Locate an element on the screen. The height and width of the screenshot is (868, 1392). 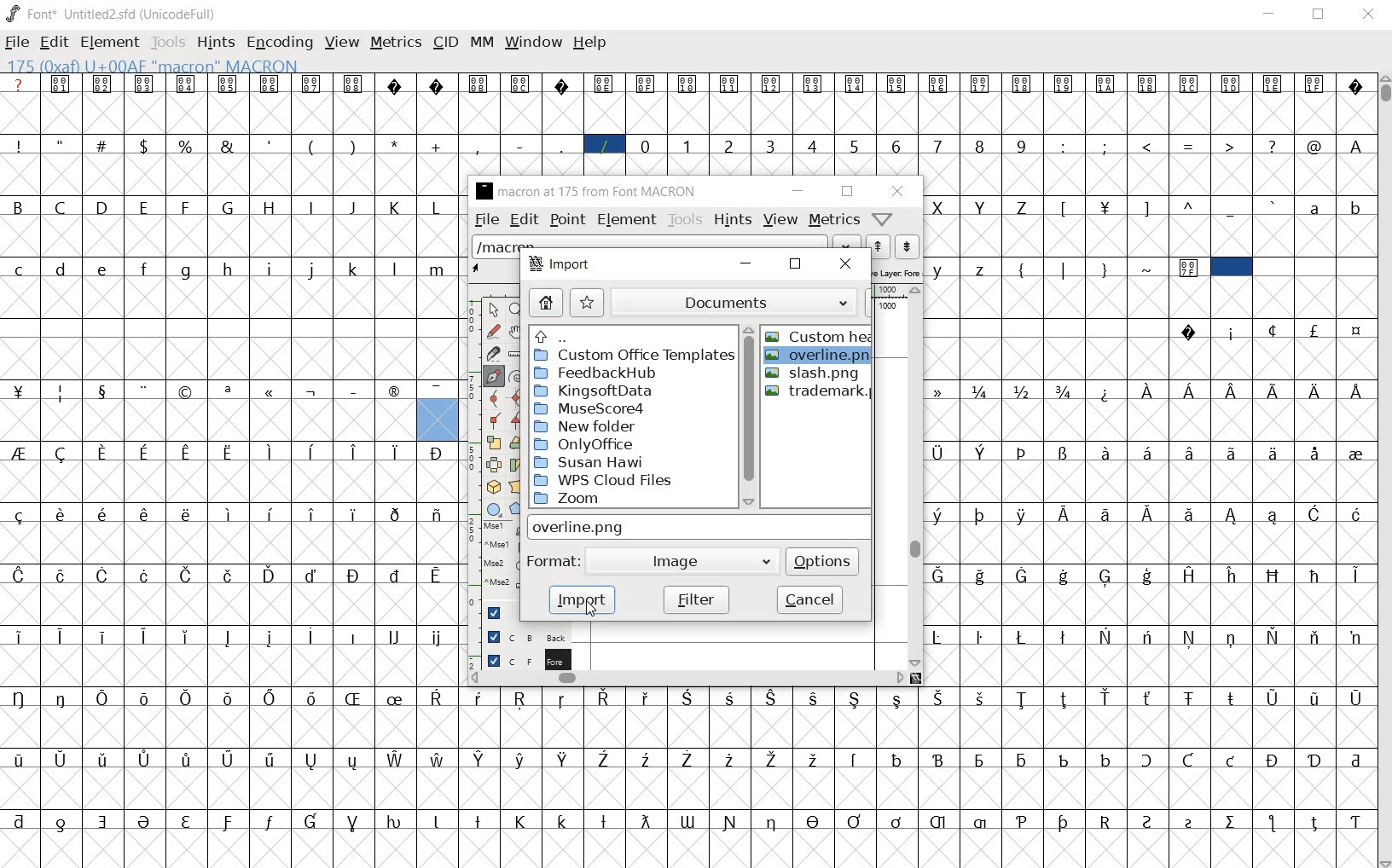
 is located at coordinates (1190, 758).